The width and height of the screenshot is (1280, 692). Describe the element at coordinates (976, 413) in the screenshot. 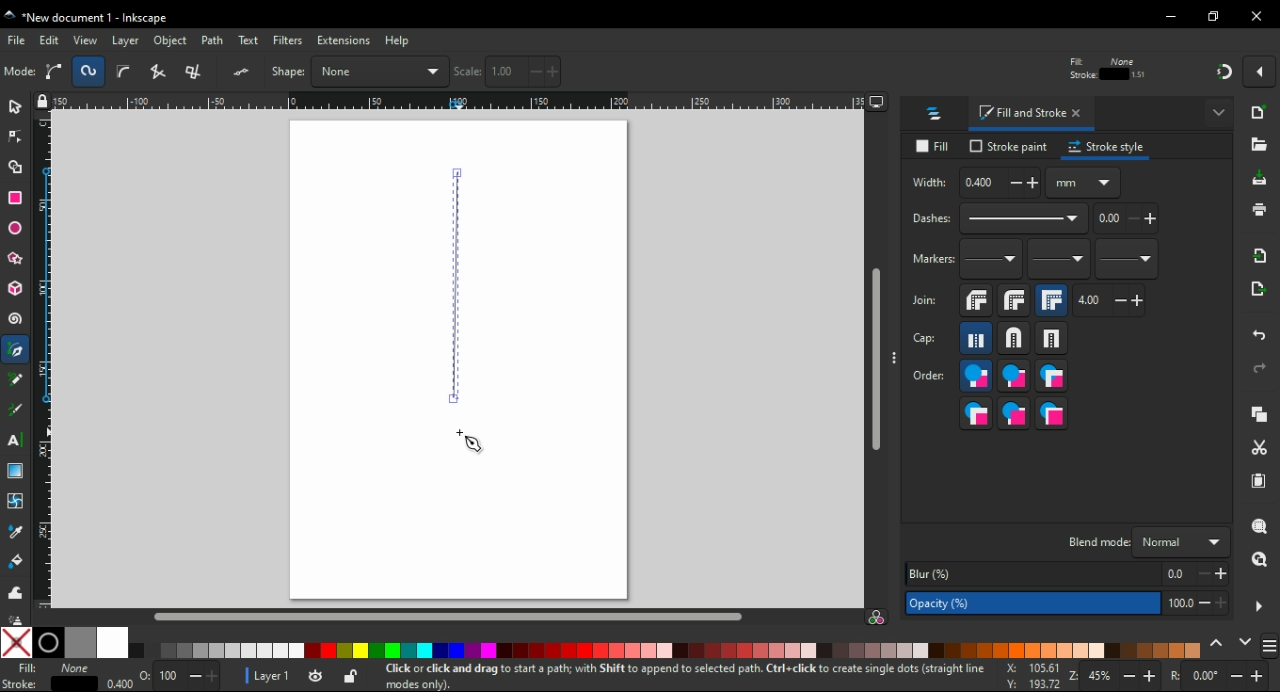

I see `markers,fill,stroke` at that location.